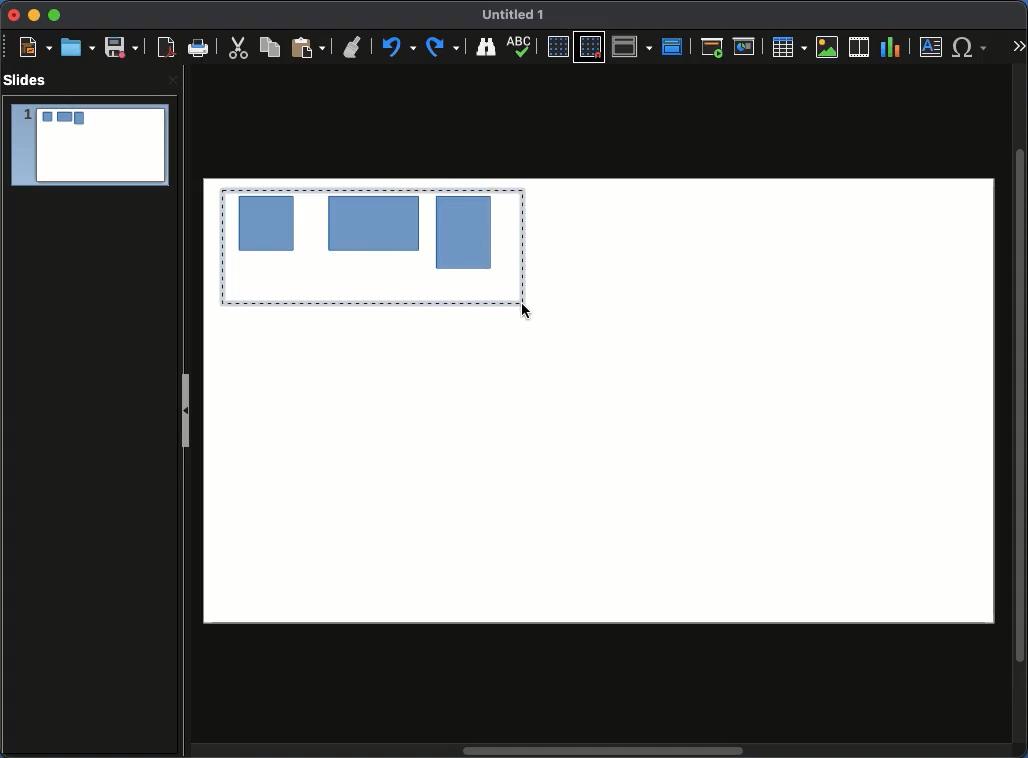 This screenshot has height=758, width=1028. What do you see at coordinates (308, 48) in the screenshot?
I see `Paste` at bounding box center [308, 48].